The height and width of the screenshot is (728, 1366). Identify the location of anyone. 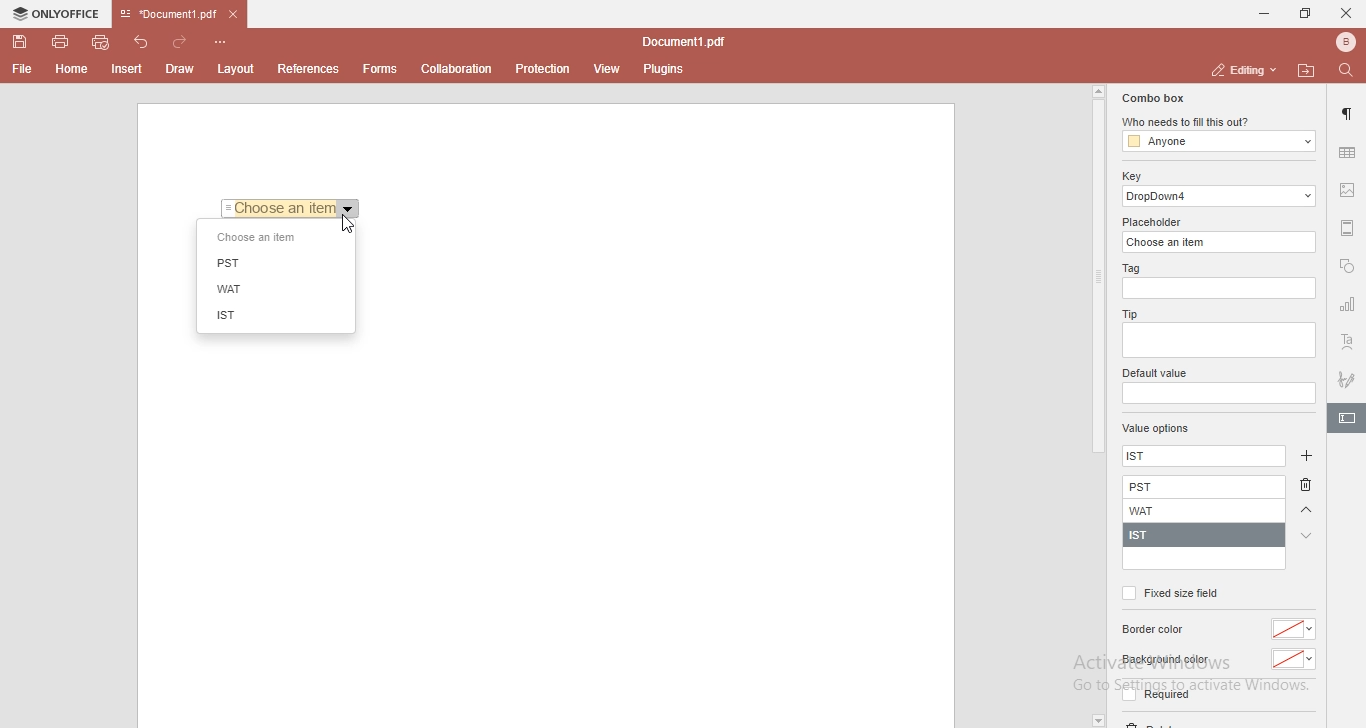
(1217, 142).